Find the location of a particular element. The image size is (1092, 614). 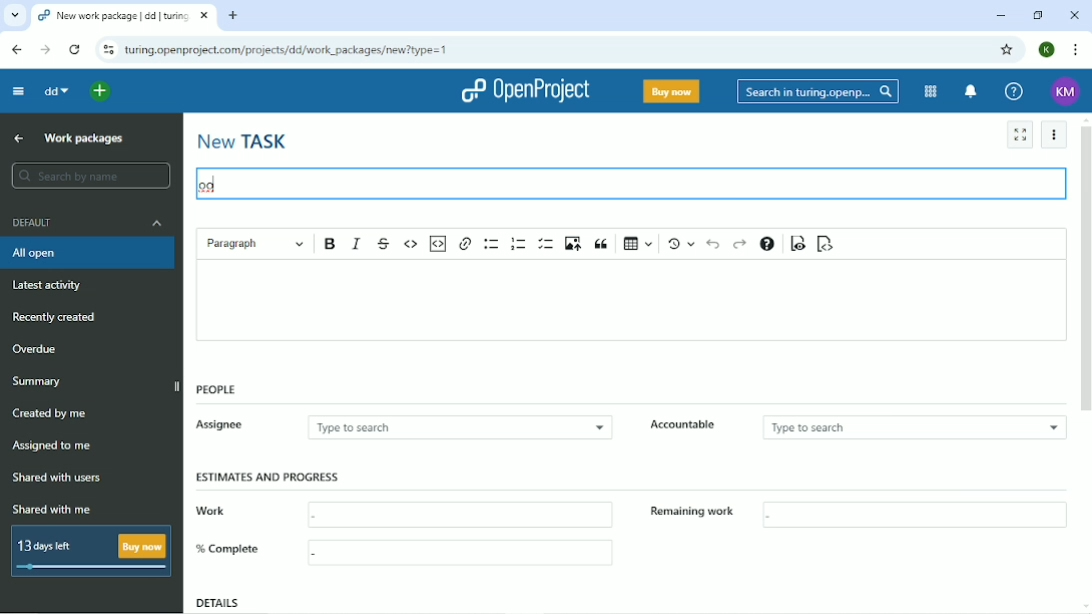

New task is located at coordinates (243, 143).